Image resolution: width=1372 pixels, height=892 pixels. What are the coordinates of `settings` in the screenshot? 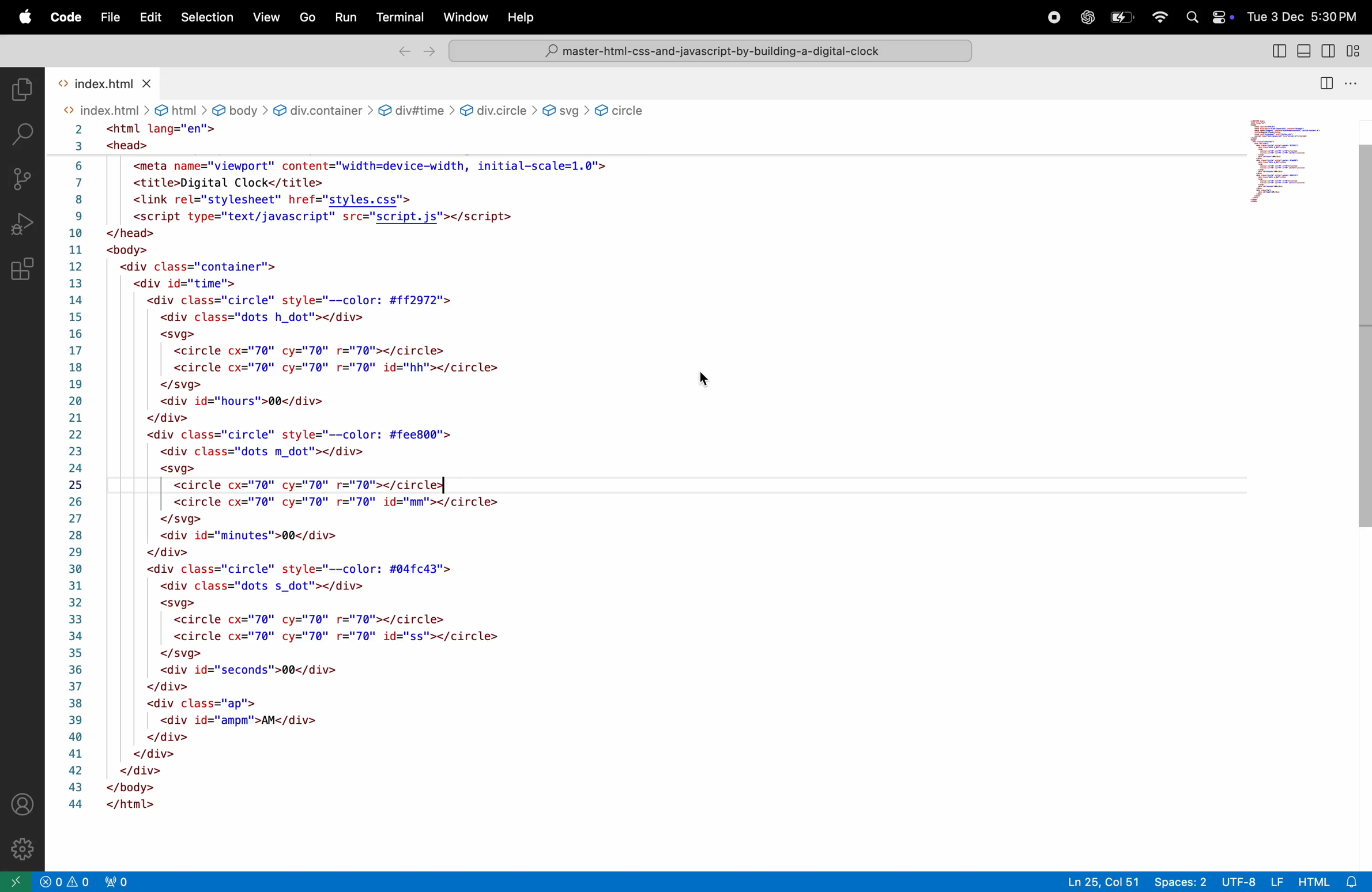 It's located at (26, 849).